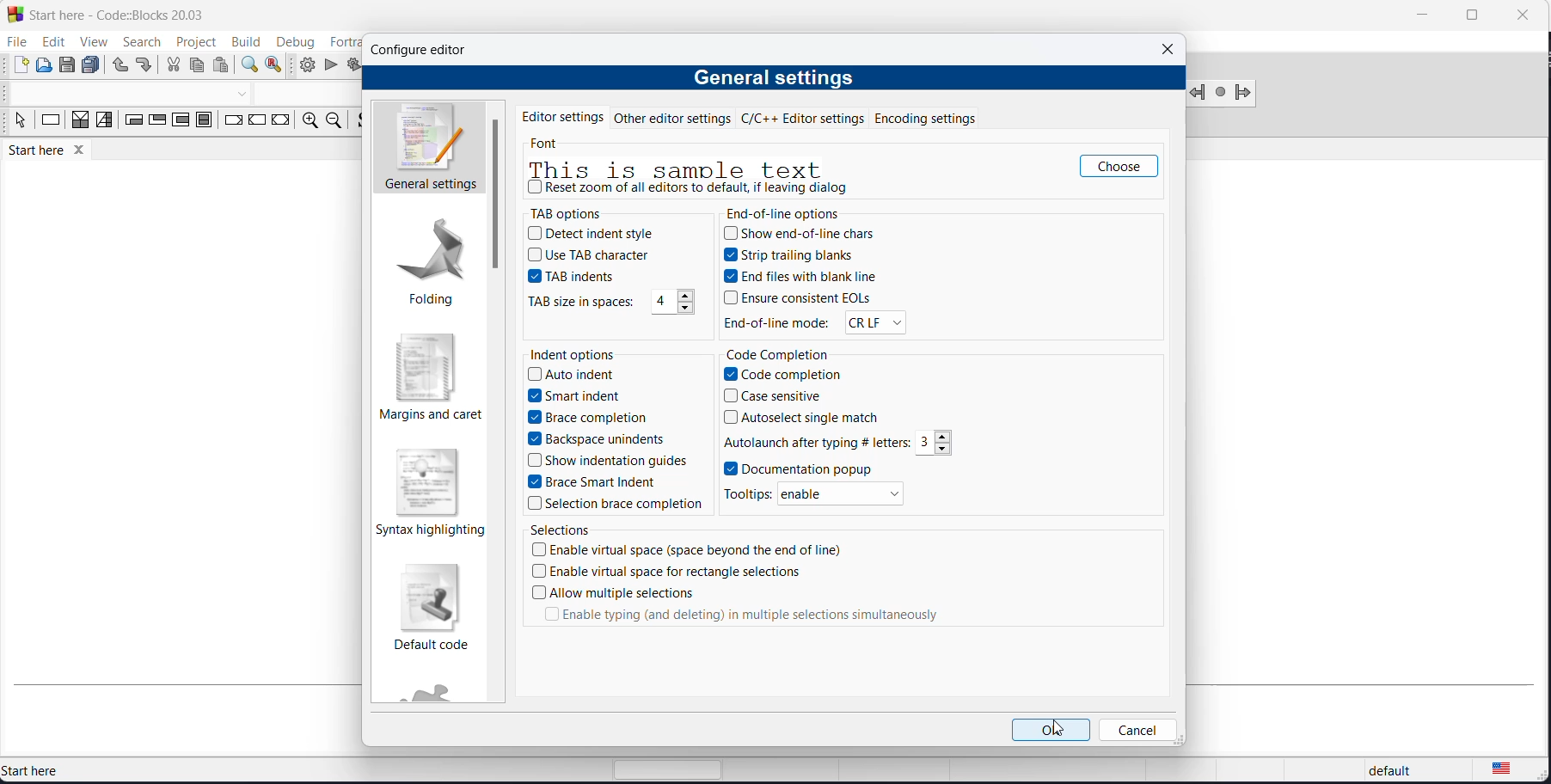 This screenshot has width=1551, height=784. Describe the element at coordinates (574, 214) in the screenshot. I see `tab options` at that location.